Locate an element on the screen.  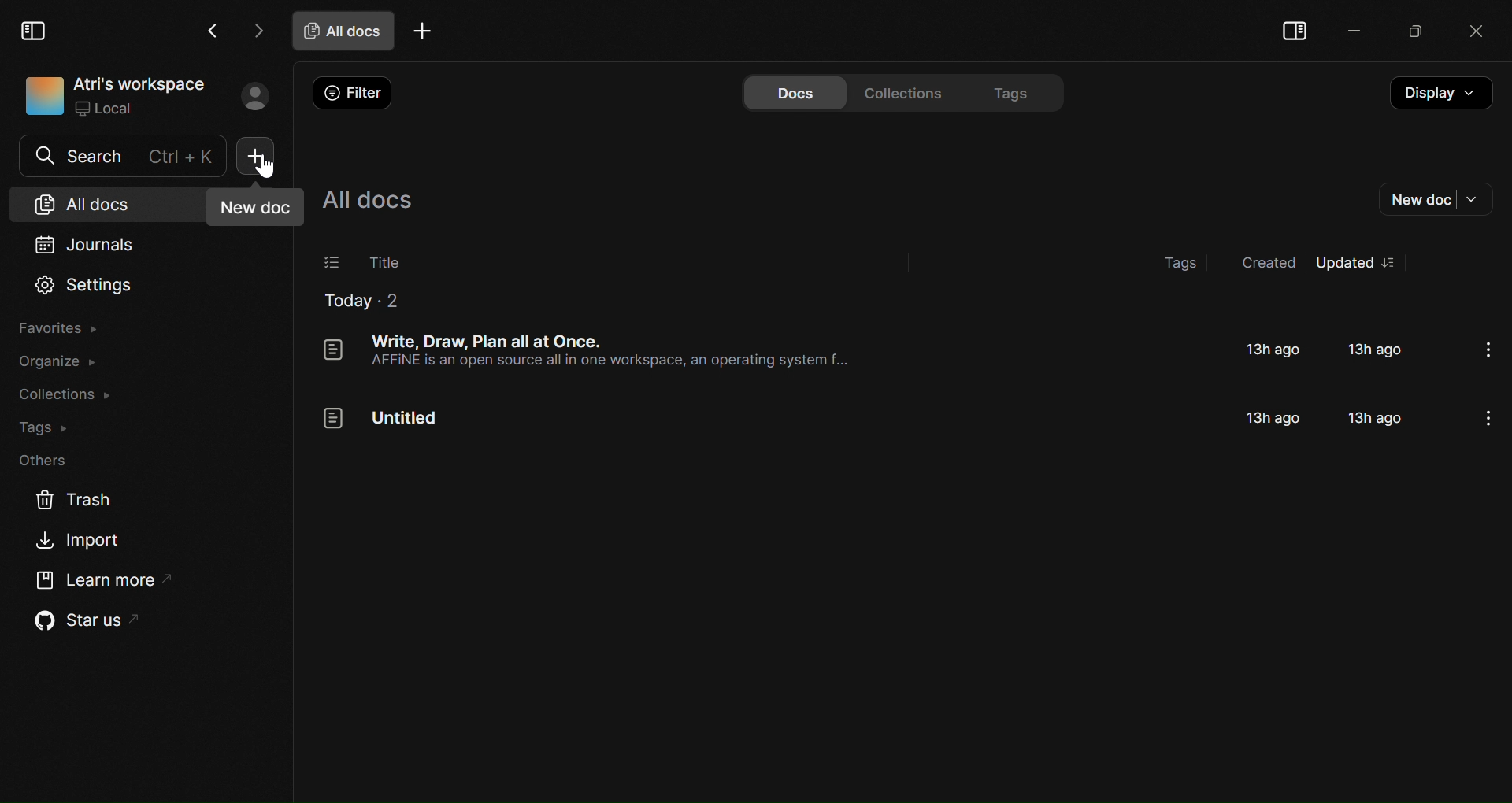
icon is located at coordinates (334, 420).